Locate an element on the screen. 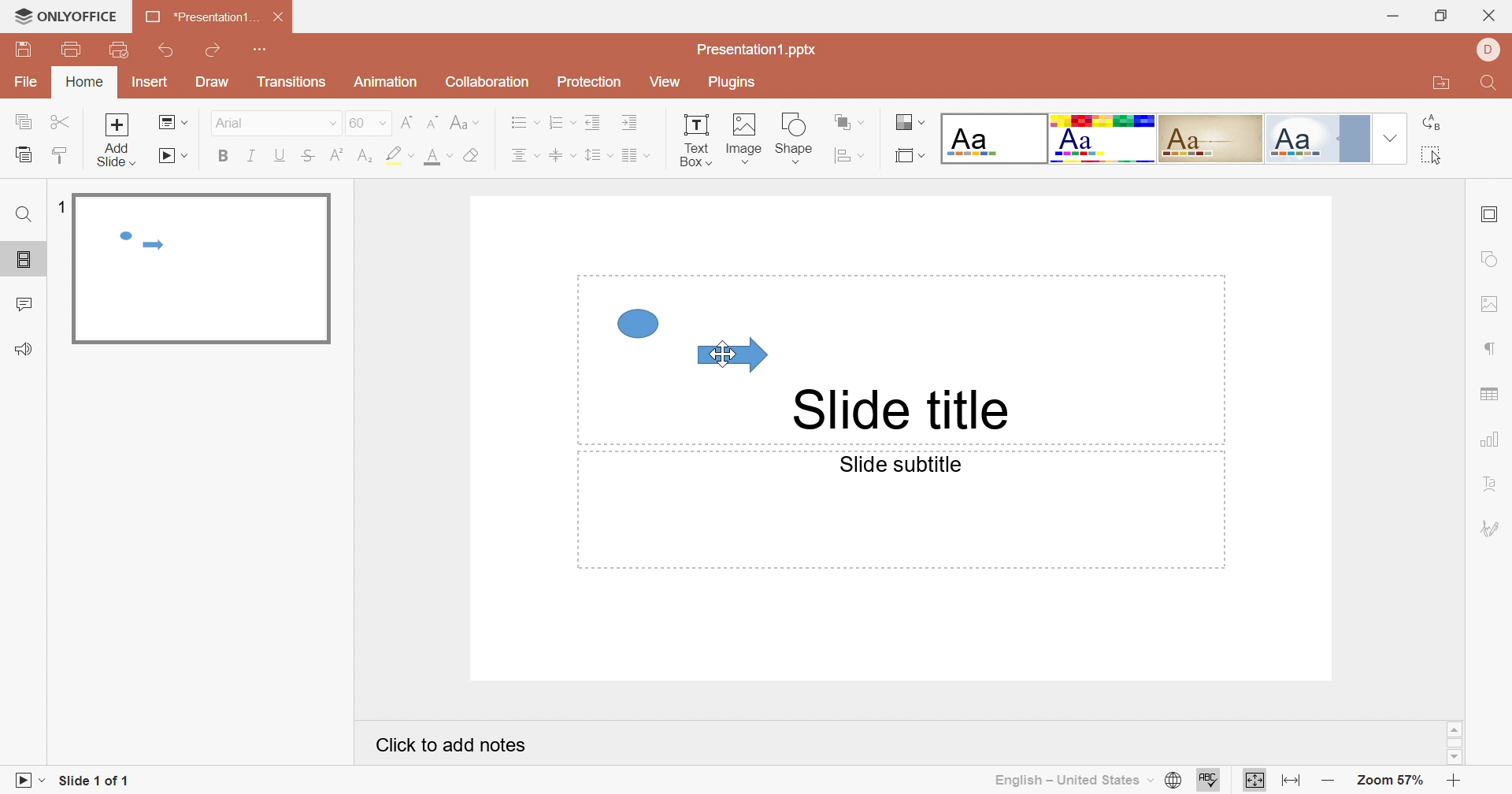 The image size is (1512, 794). Paragraph settings is located at coordinates (1491, 350).